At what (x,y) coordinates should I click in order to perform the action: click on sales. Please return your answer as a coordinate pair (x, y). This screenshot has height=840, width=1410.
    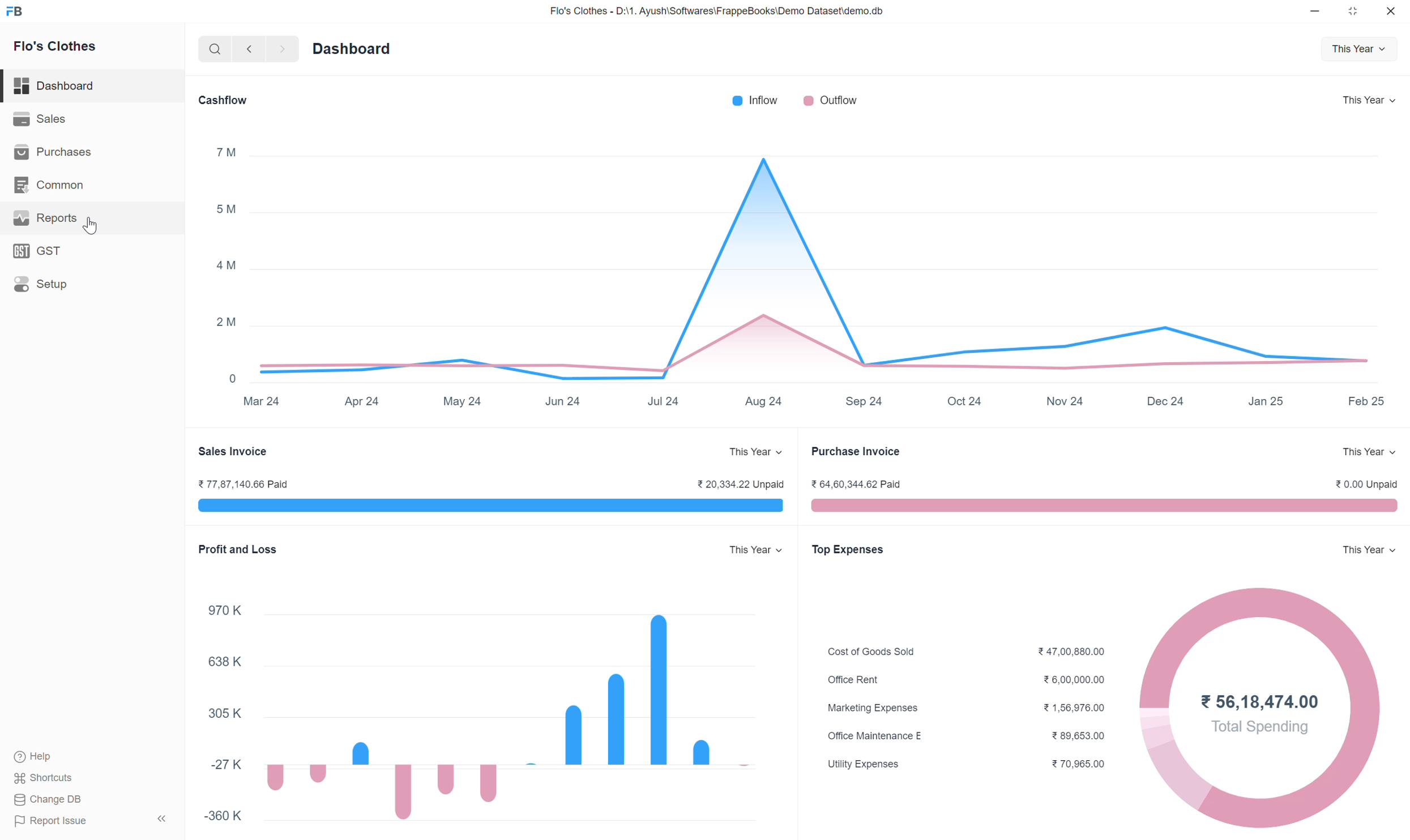
    Looking at the image, I should click on (38, 118).